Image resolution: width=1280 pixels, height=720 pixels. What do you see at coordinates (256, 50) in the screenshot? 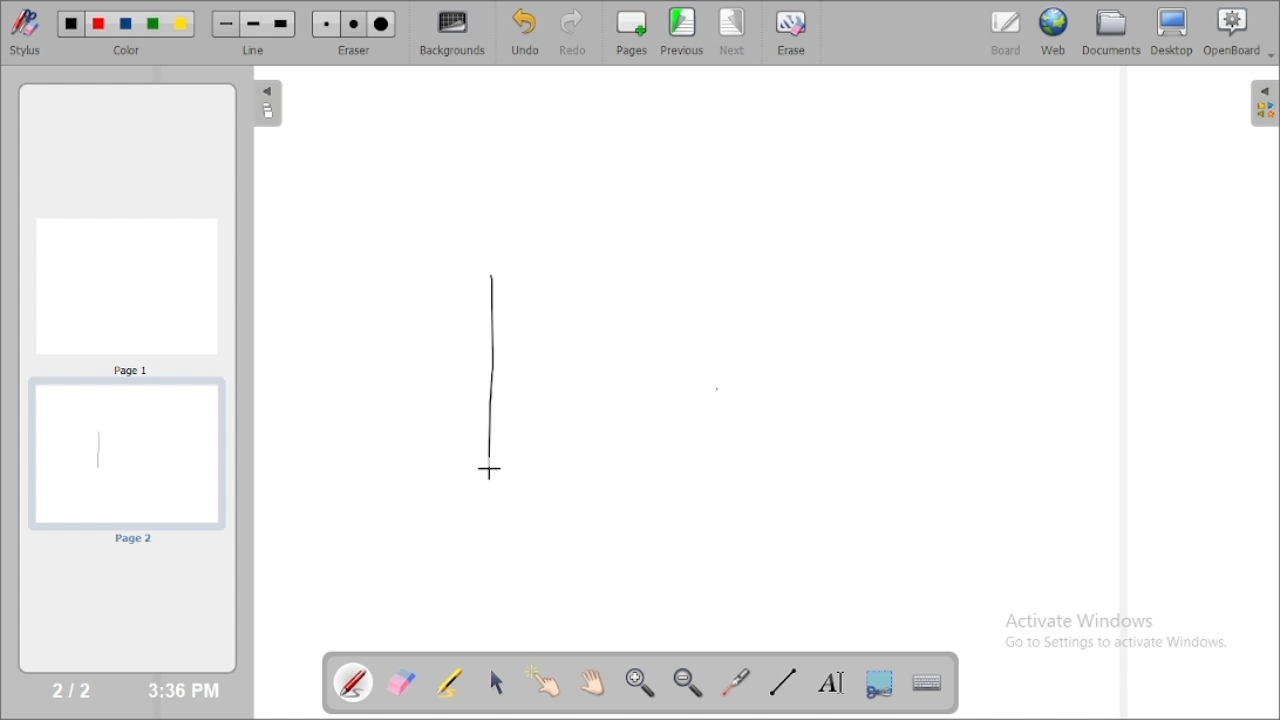
I see `line` at bounding box center [256, 50].